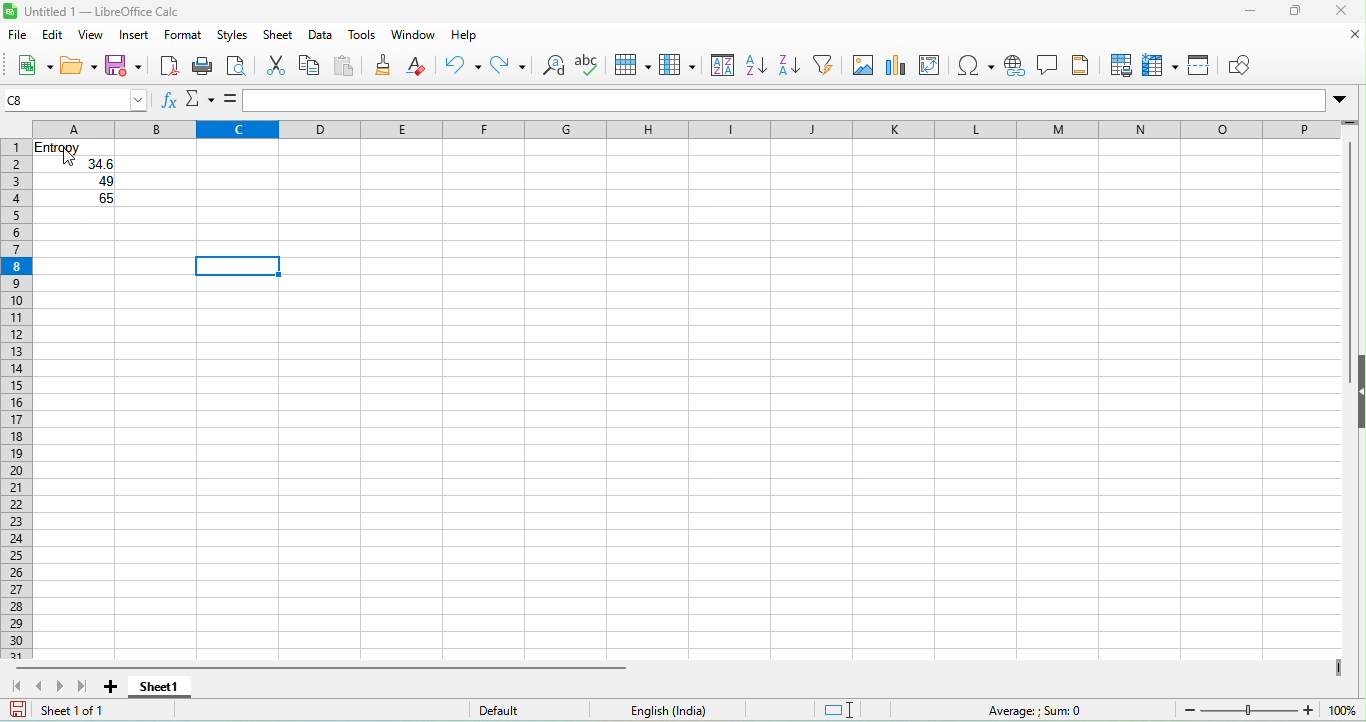  Describe the element at coordinates (1347, 122) in the screenshot. I see `drag to view more rows` at that location.